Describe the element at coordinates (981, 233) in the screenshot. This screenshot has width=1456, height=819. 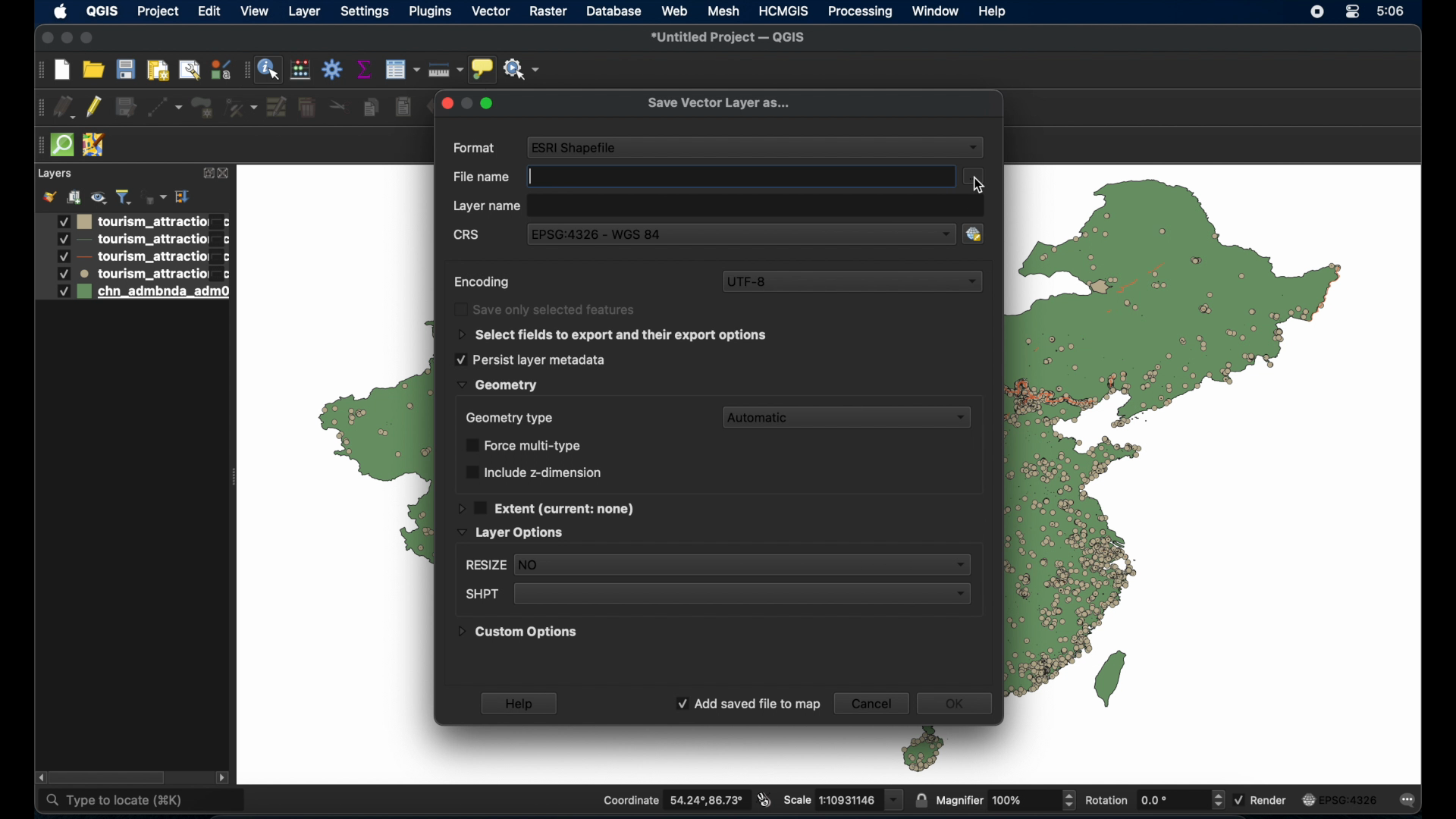
I see `select crs` at that location.